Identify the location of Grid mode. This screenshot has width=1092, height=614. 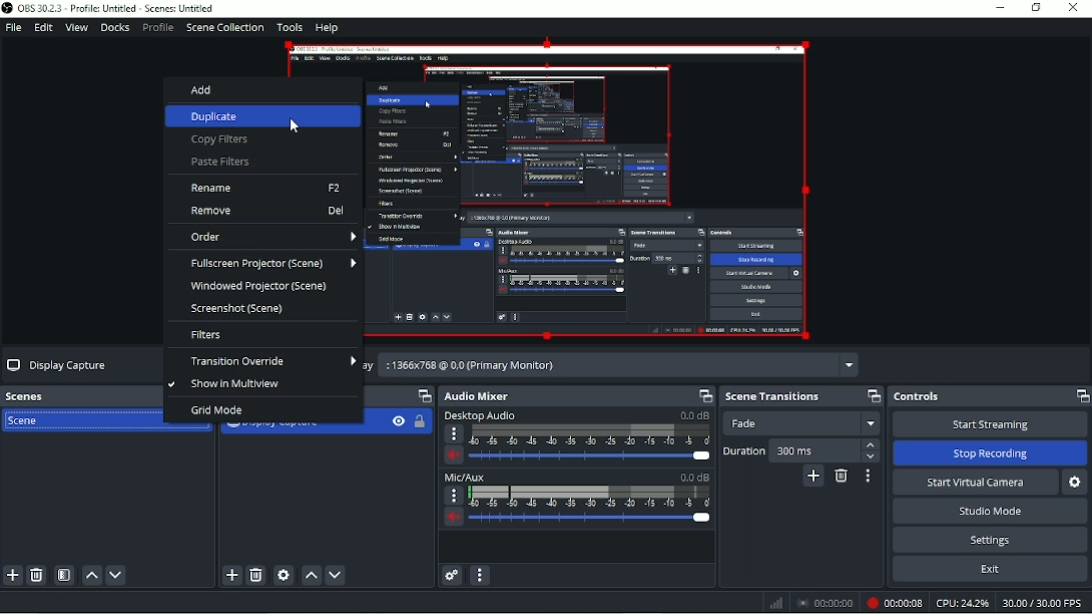
(217, 410).